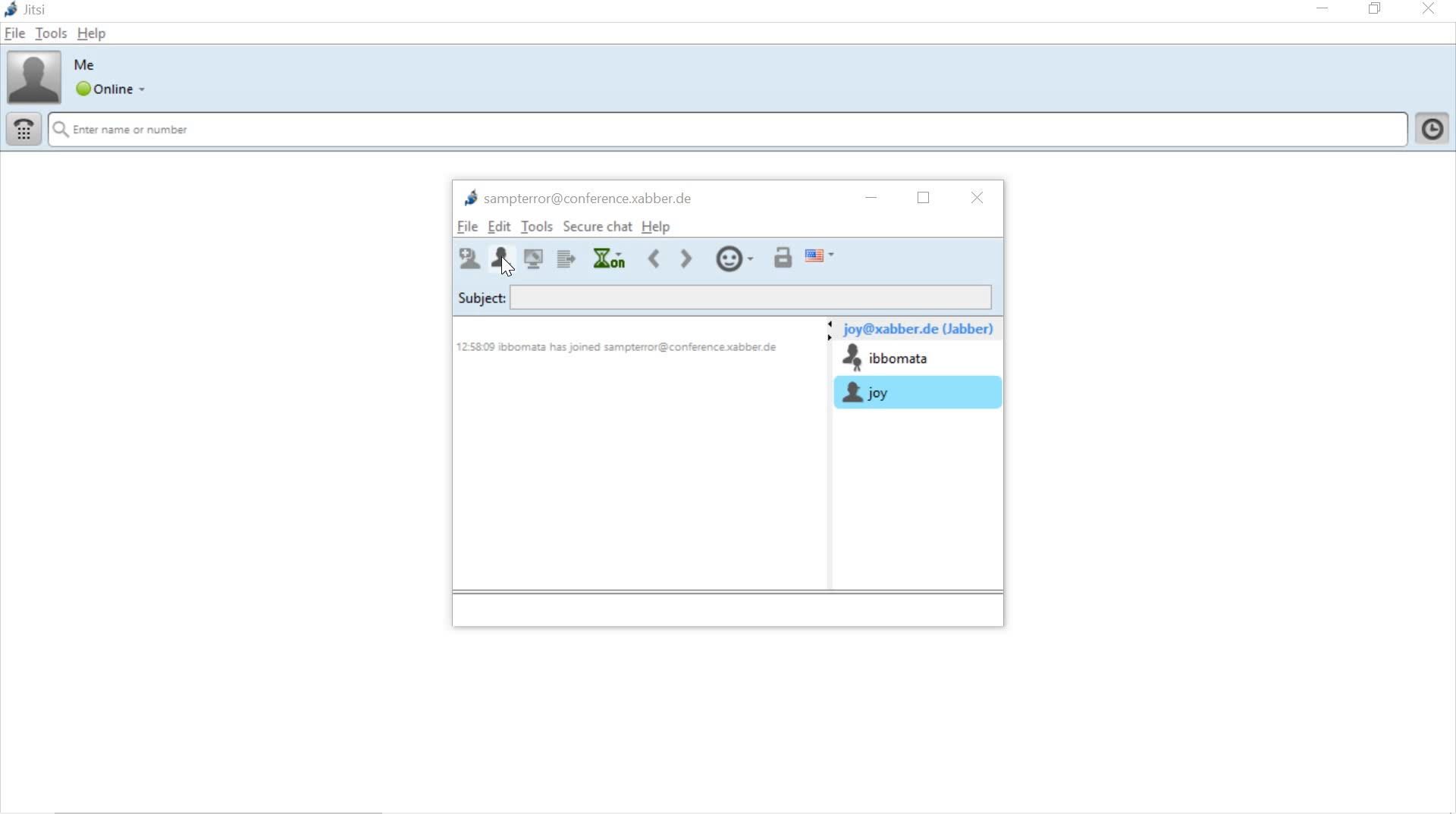  Describe the element at coordinates (579, 196) in the screenshot. I see `chat room name` at that location.